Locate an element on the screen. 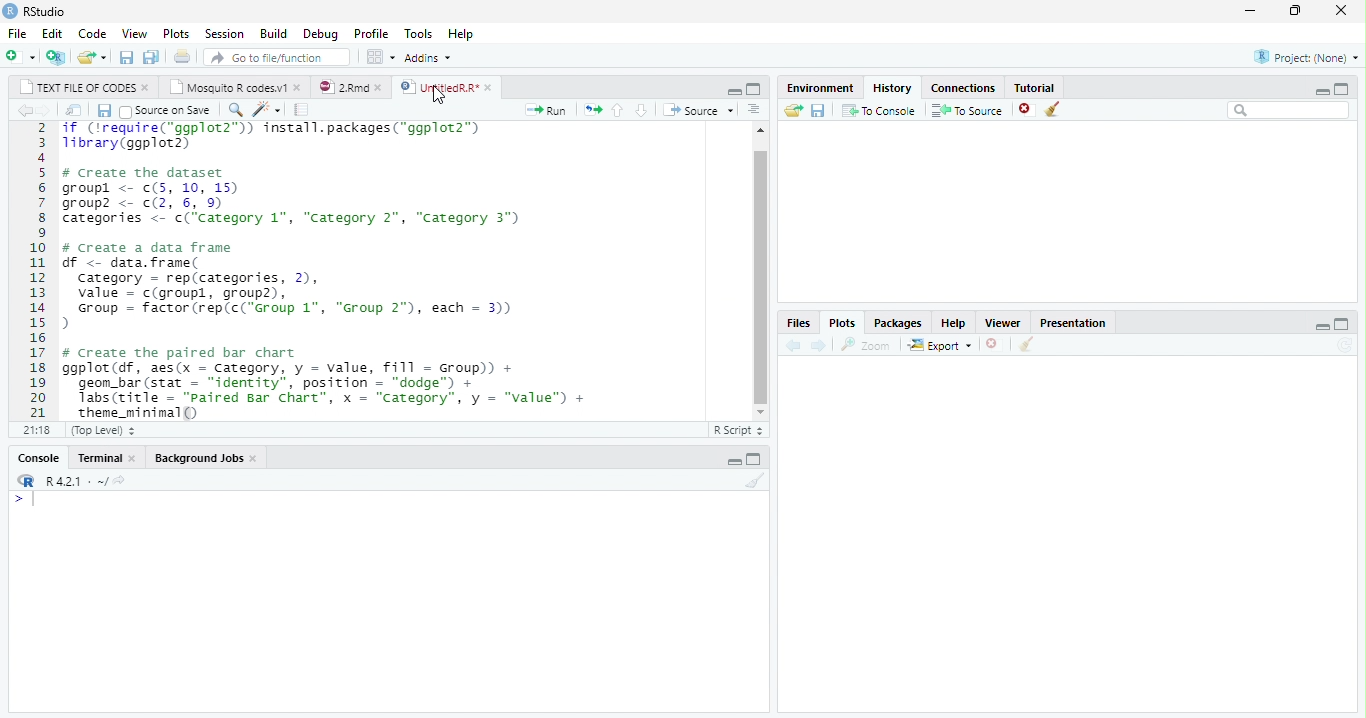 Image resolution: width=1366 pixels, height=718 pixels. minimize is located at coordinates (1324, 326).